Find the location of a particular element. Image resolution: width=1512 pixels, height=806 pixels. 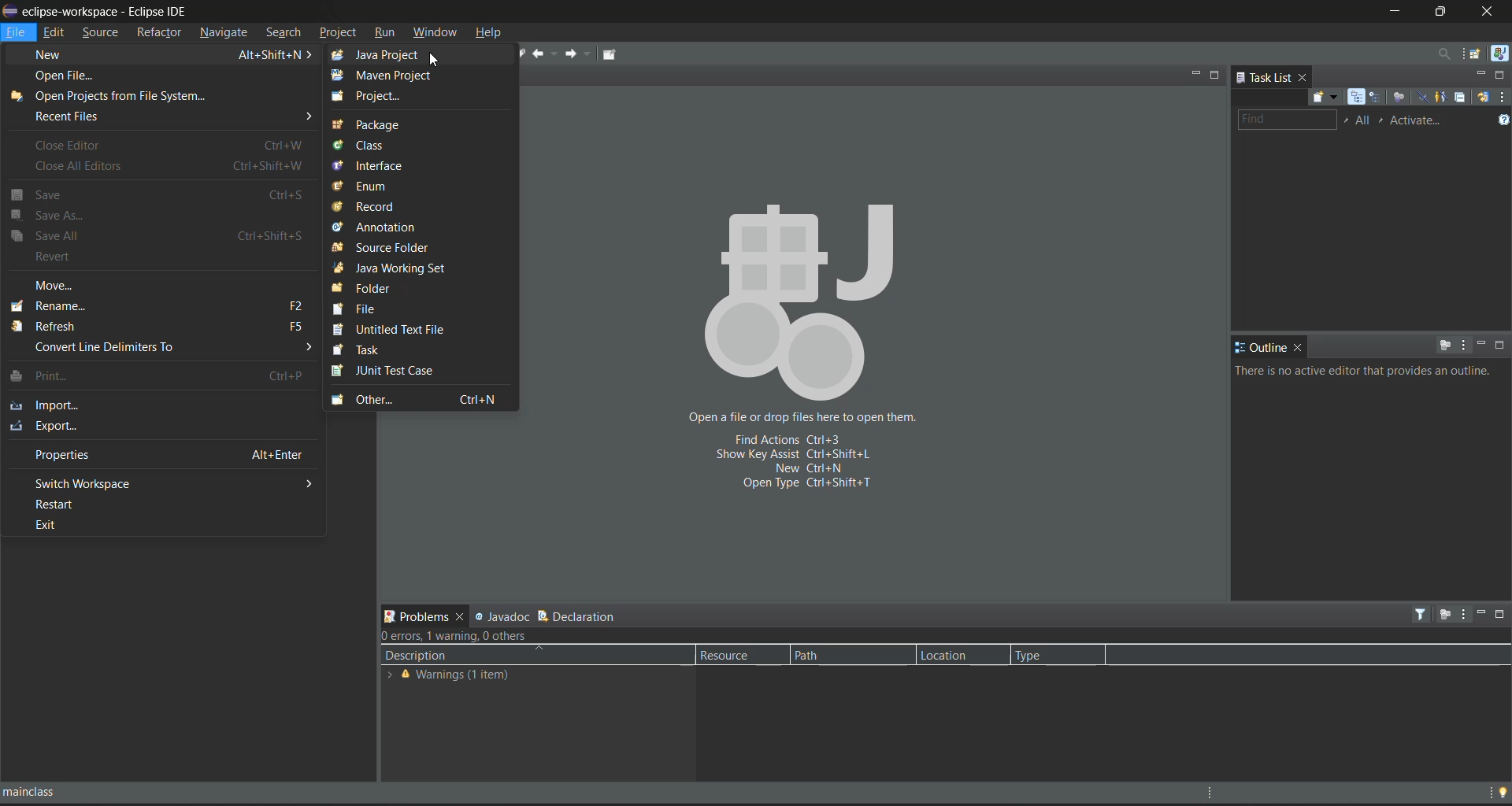

save is located at coordinates (160, 193).